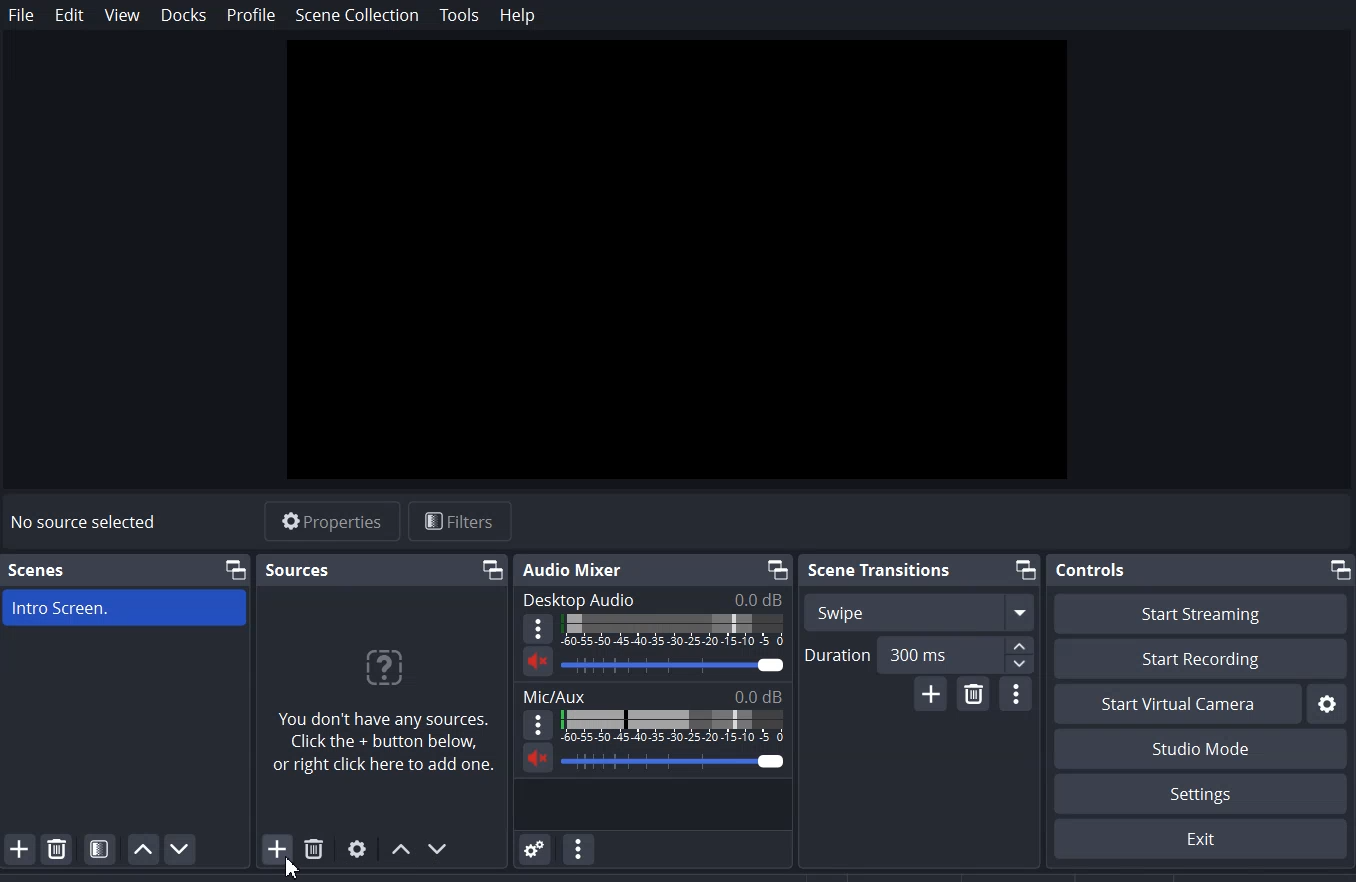 The width and height of the screenshot is (1356, 882). What do you see at coordinates (234, 569) in the screenshot?
I see `Maximize` at bounding box center [234, 569].